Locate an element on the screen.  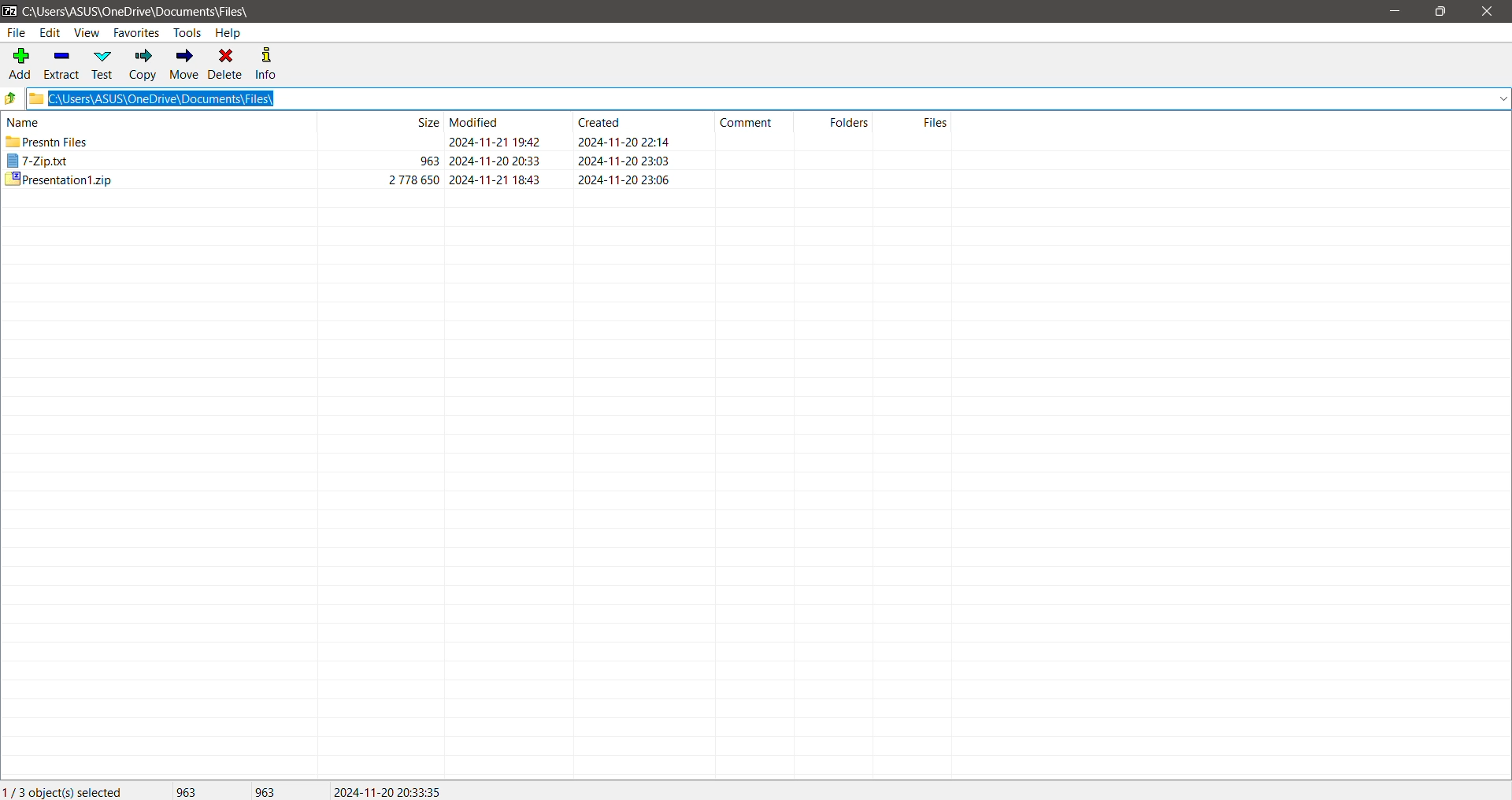
2 778 650 is located at coordinates (414, 179).